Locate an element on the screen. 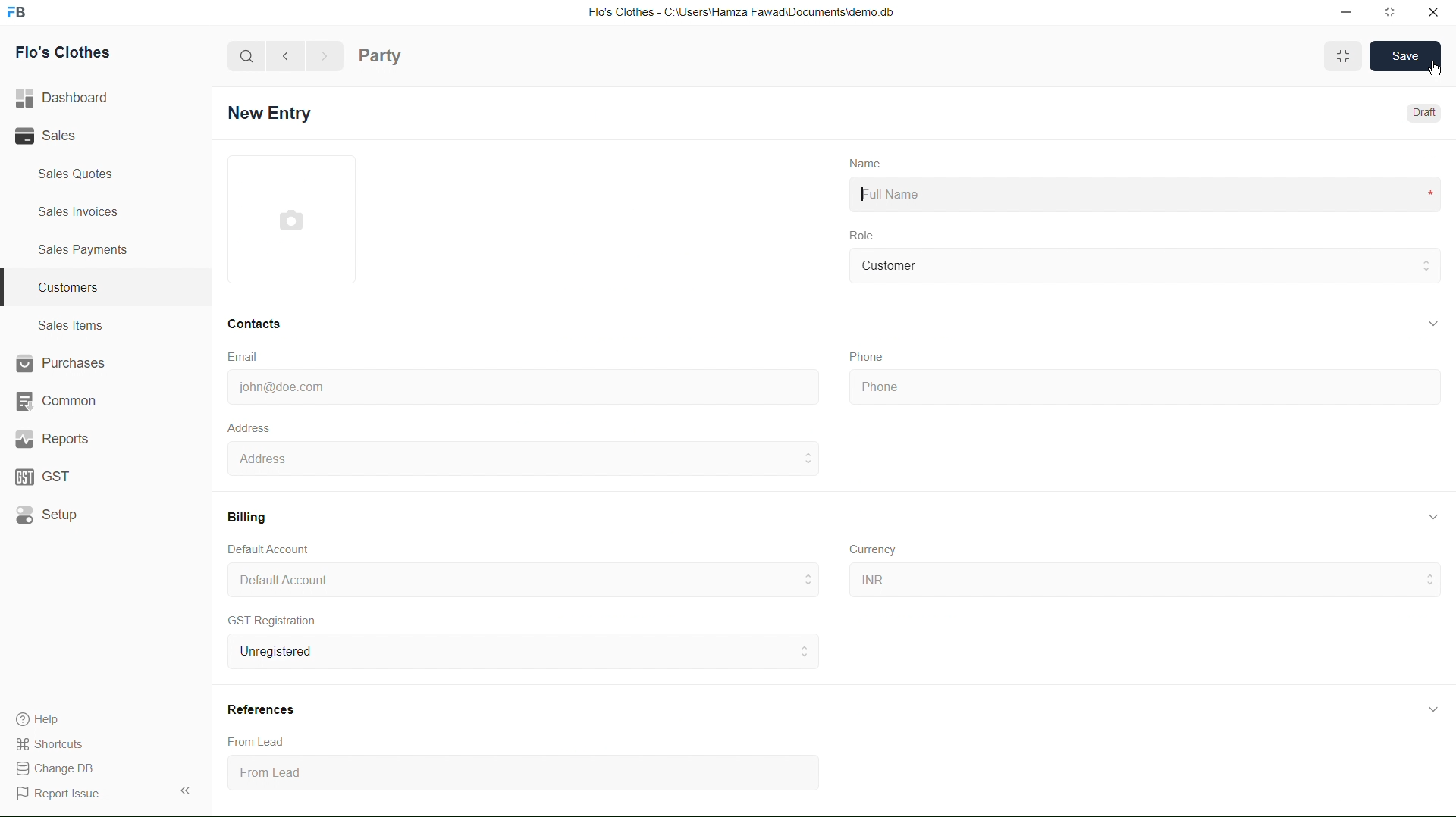 This screenshot has width=1456, height=817. Dashboard is located at coordinates (67, 95).